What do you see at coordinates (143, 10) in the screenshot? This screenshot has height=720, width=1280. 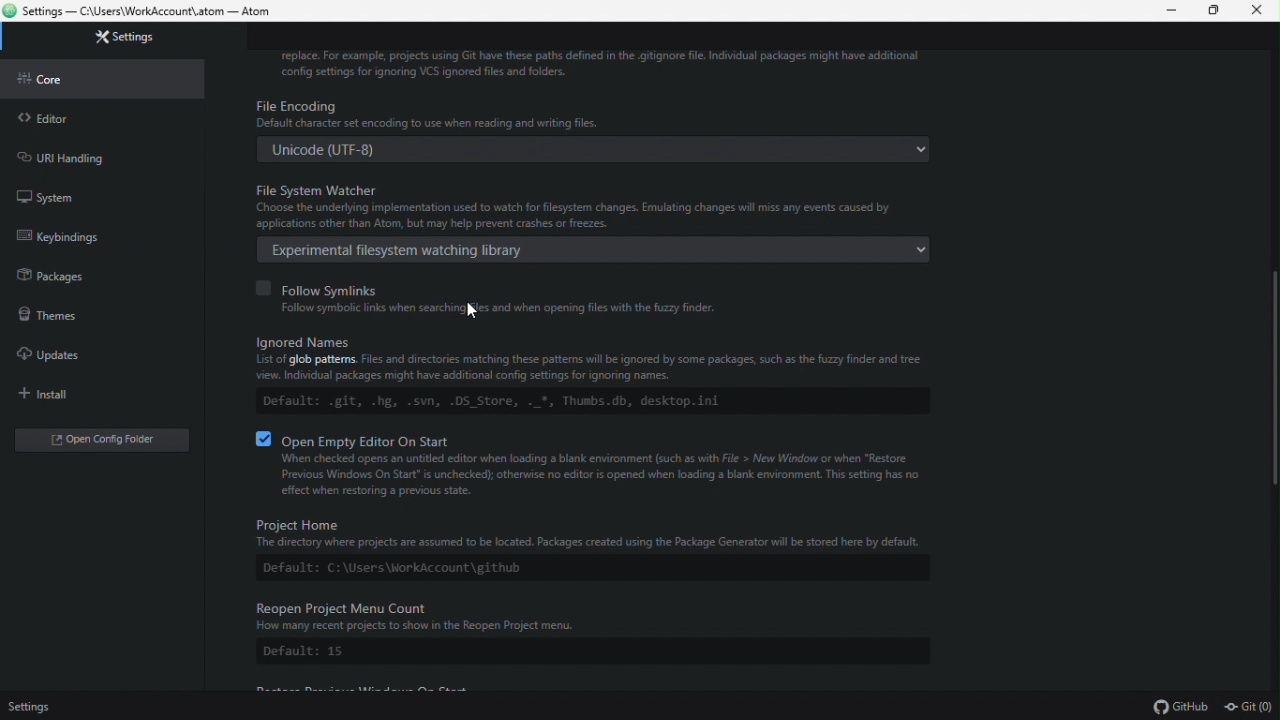 I see `file name and file path ` at bounding box center [143, 10].